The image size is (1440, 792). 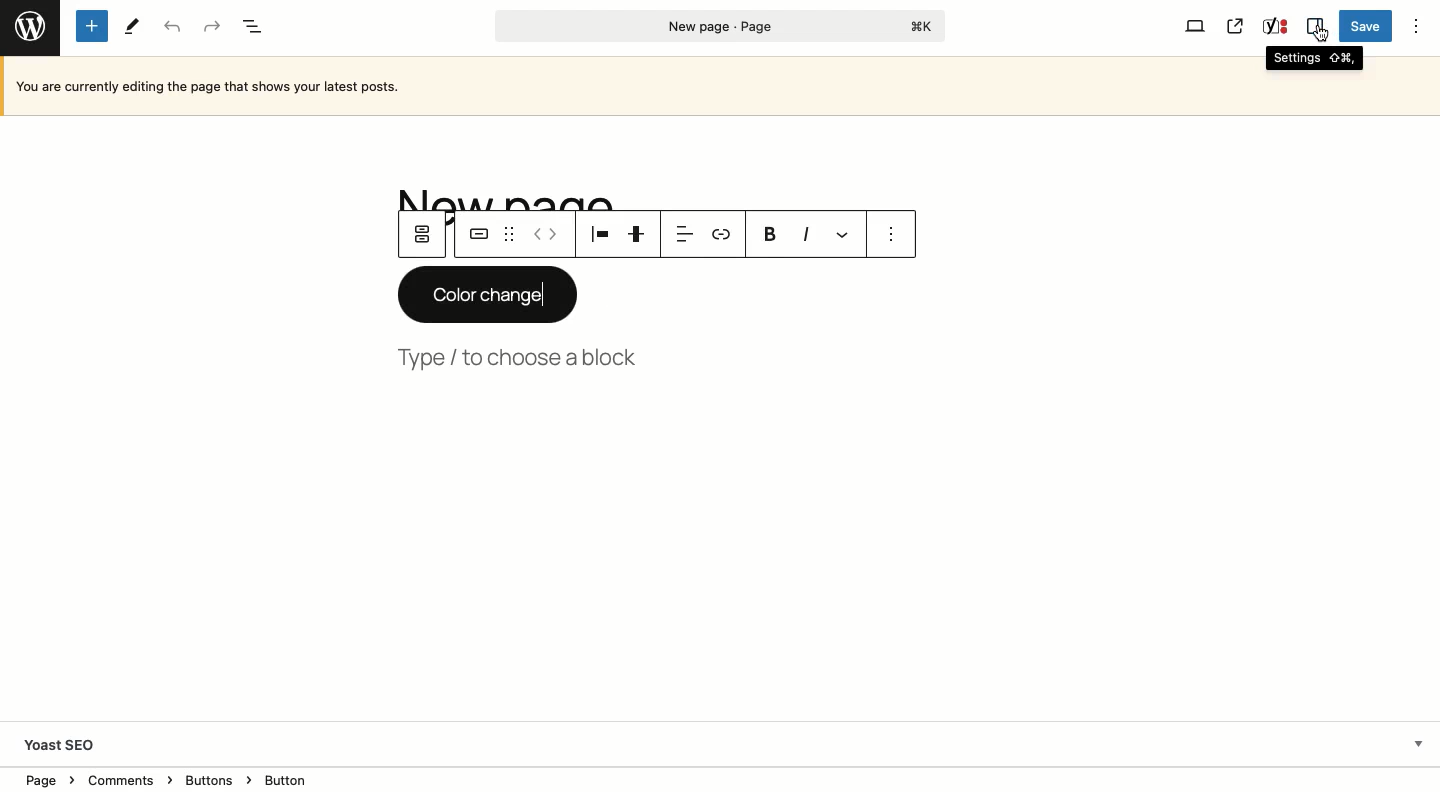 What do you see at coordinates (30, 26) in the screenshot?
I see `Wordpress logo` at bounding box center [30, 26].